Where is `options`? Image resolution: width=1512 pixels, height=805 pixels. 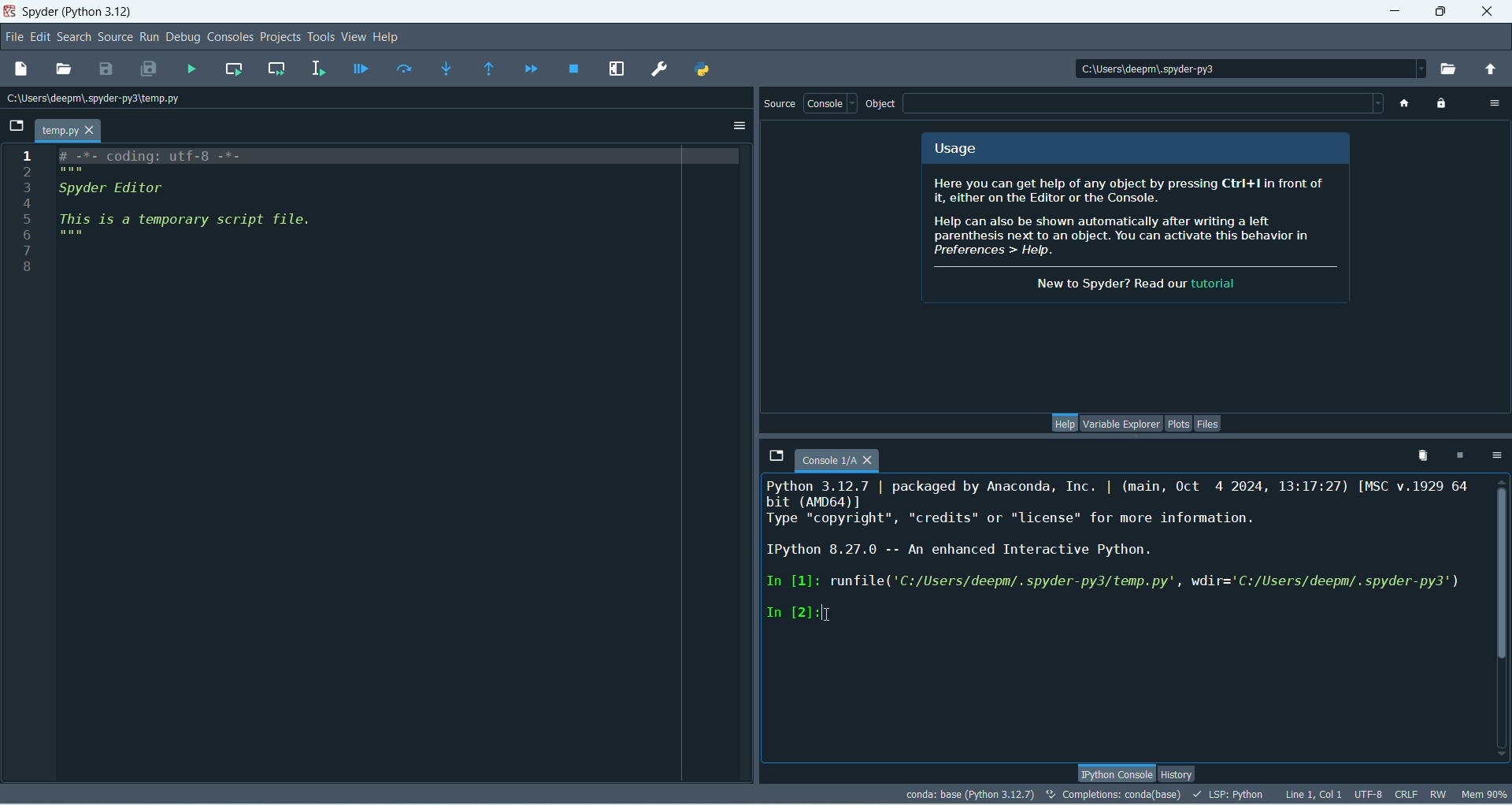
options is located at coordinates (1496, 102).